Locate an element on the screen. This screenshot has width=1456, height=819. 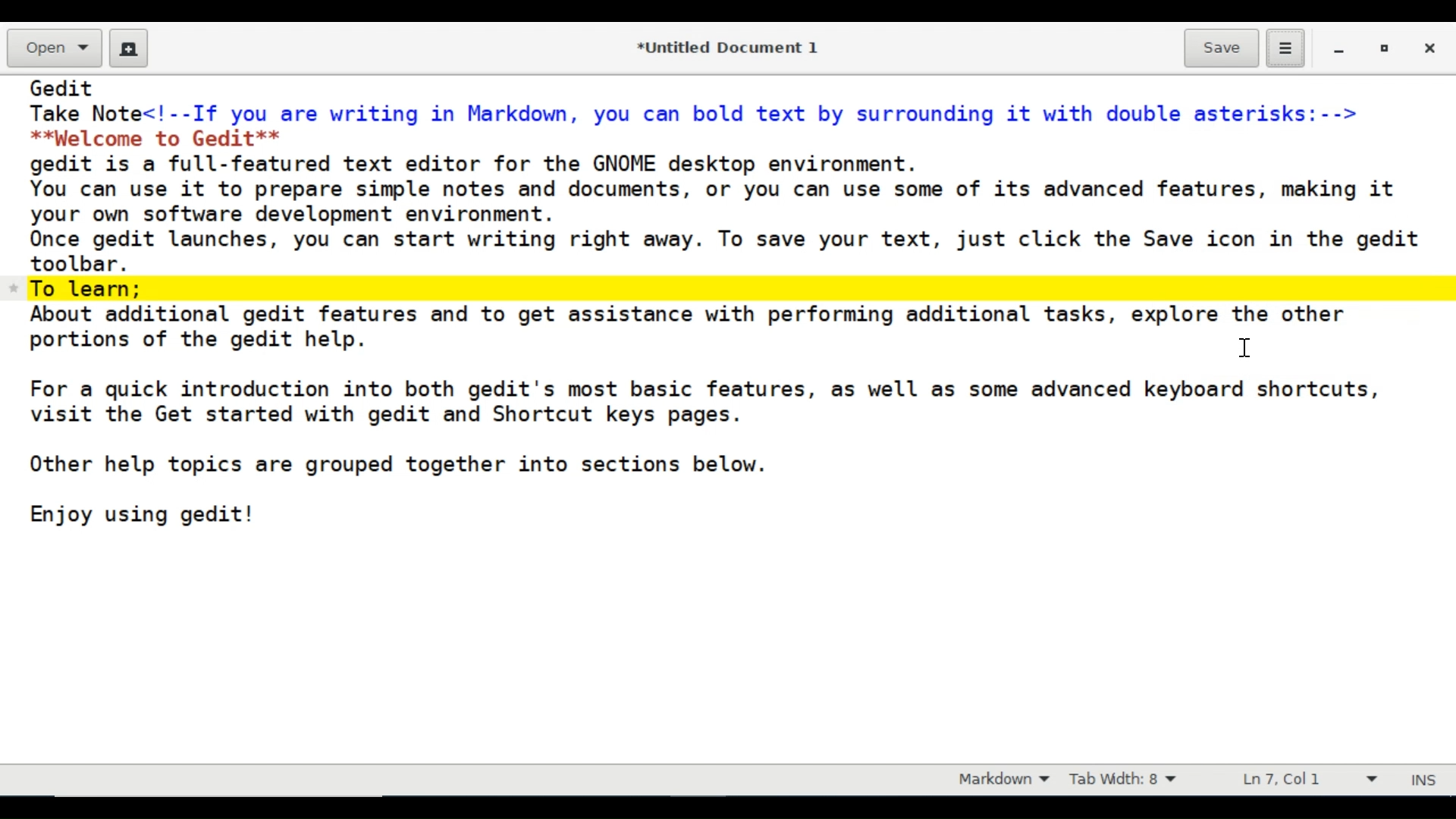
Save is located at coordinates (1221, 49).